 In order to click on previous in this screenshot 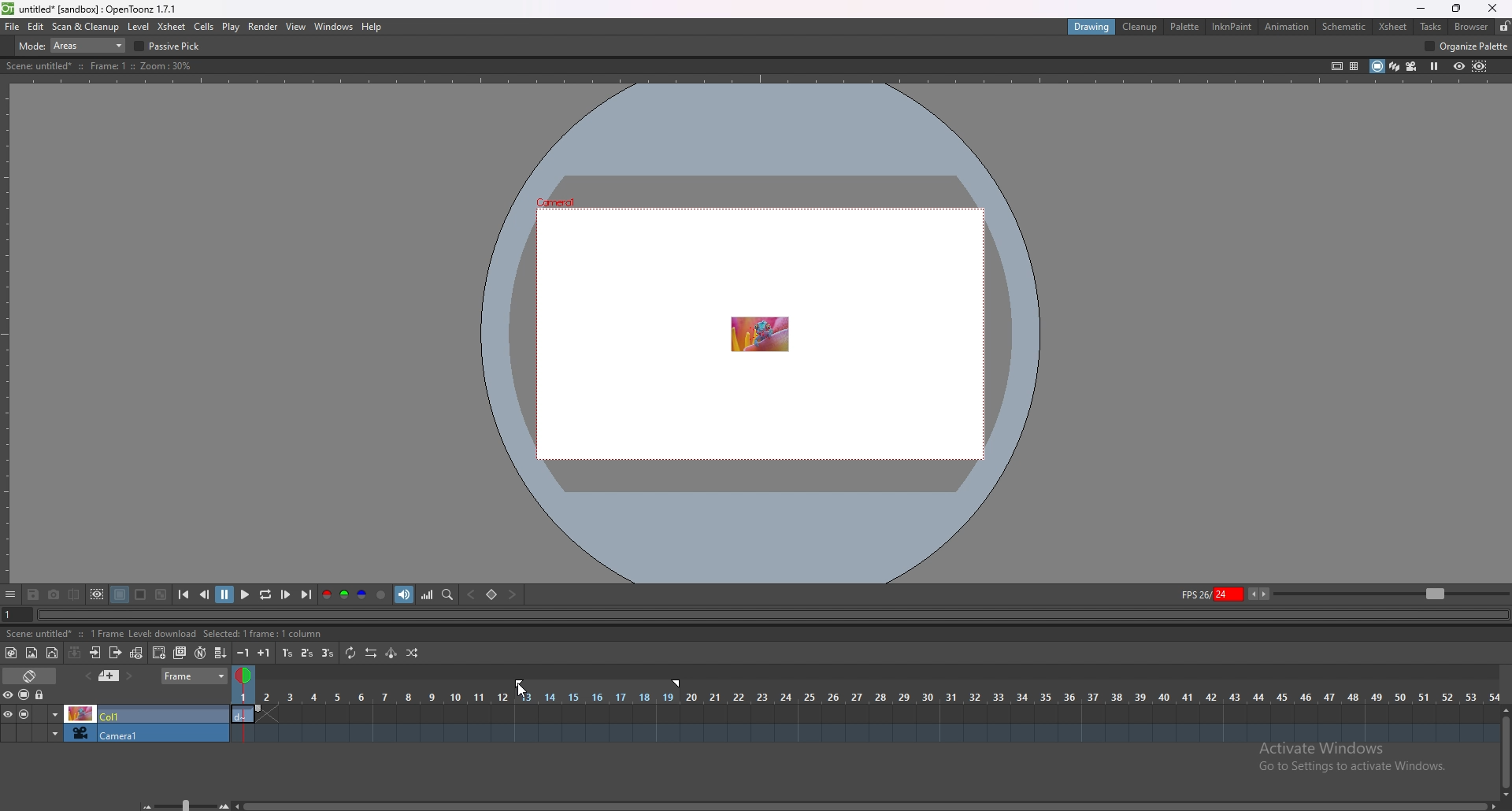, I will do `click(205, 594)`.